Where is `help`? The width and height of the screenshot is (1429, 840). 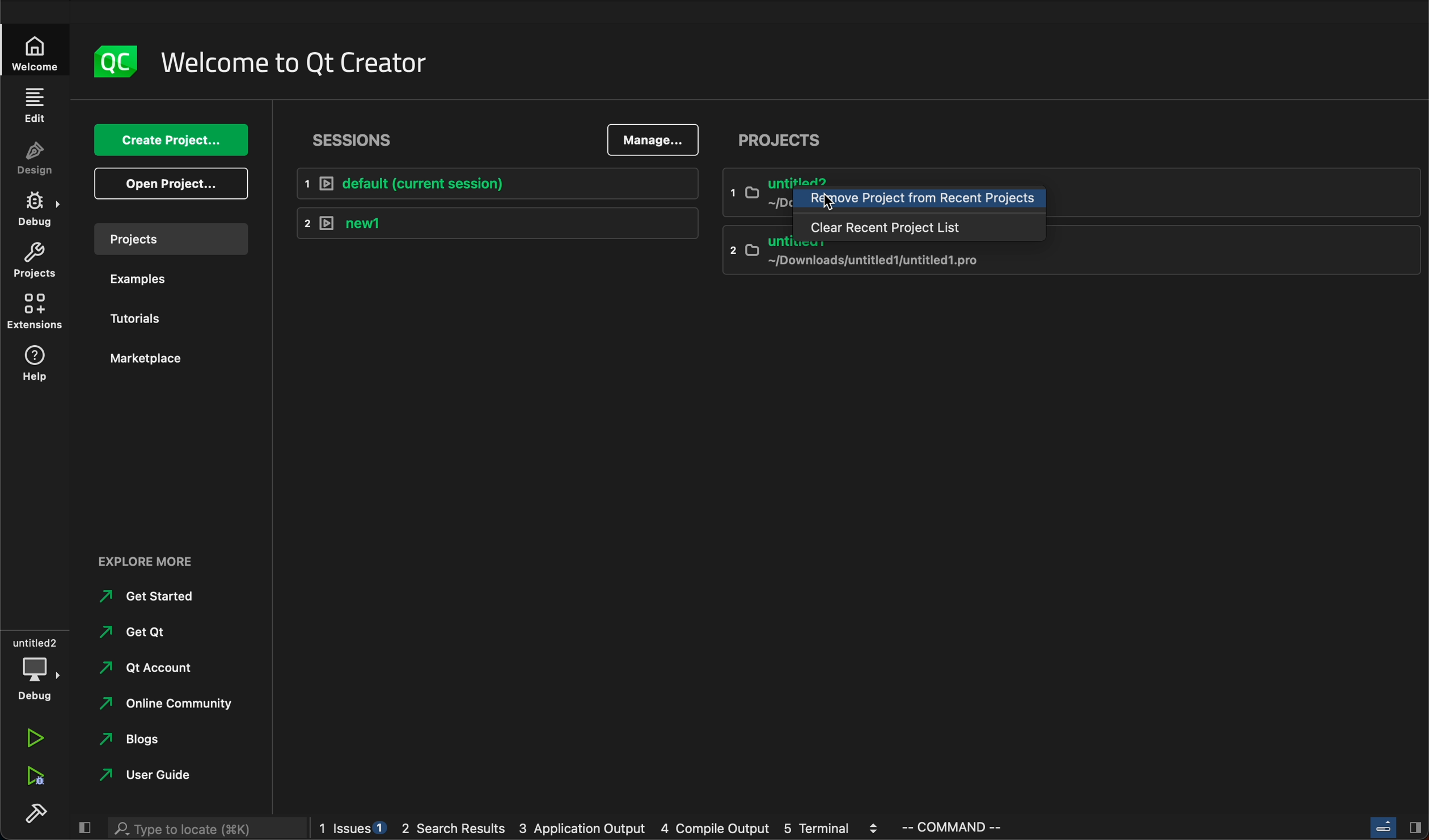 help is located at coordinates (36, 368).